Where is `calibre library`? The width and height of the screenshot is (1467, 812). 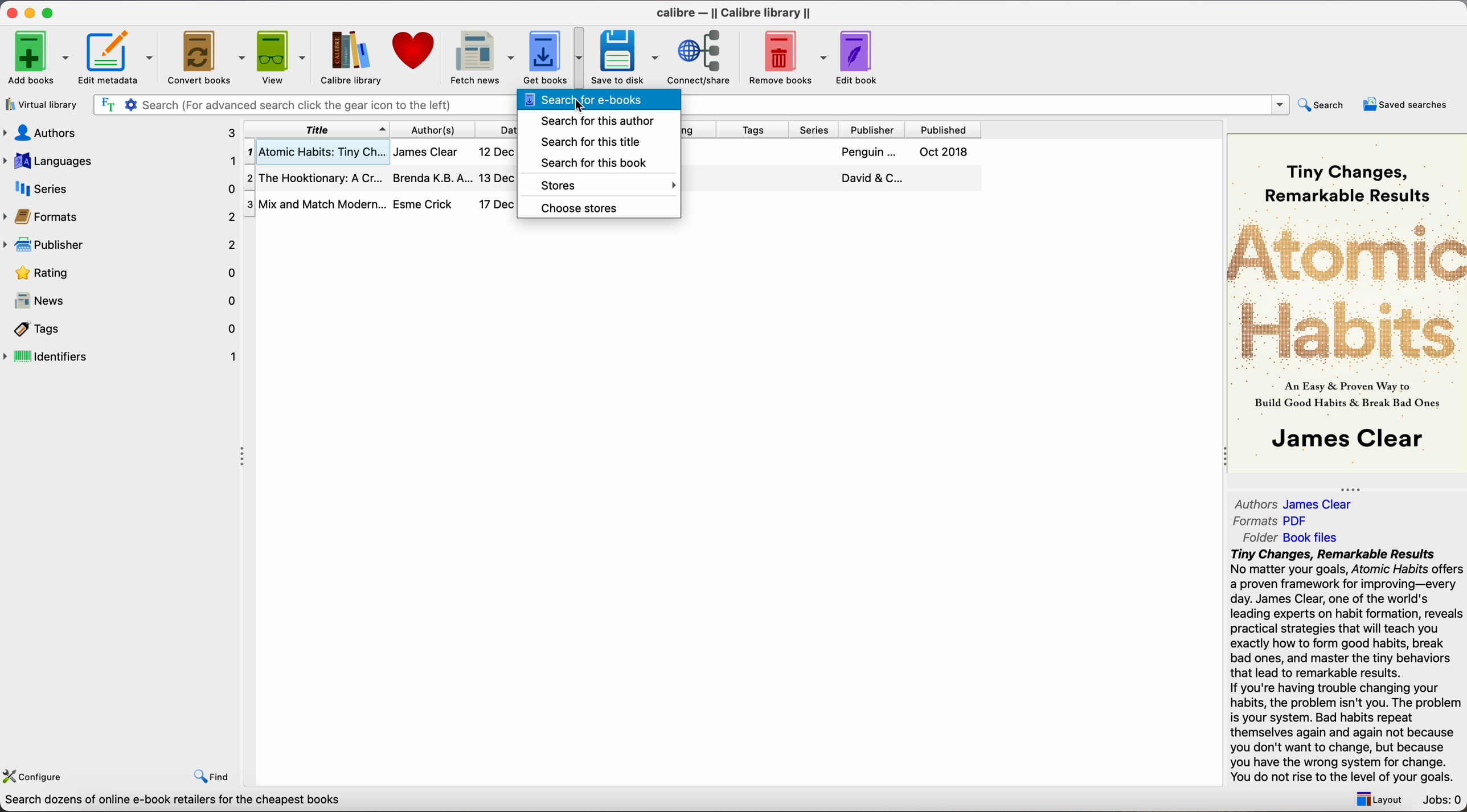
calibre library is located at coordinates (346, 58).